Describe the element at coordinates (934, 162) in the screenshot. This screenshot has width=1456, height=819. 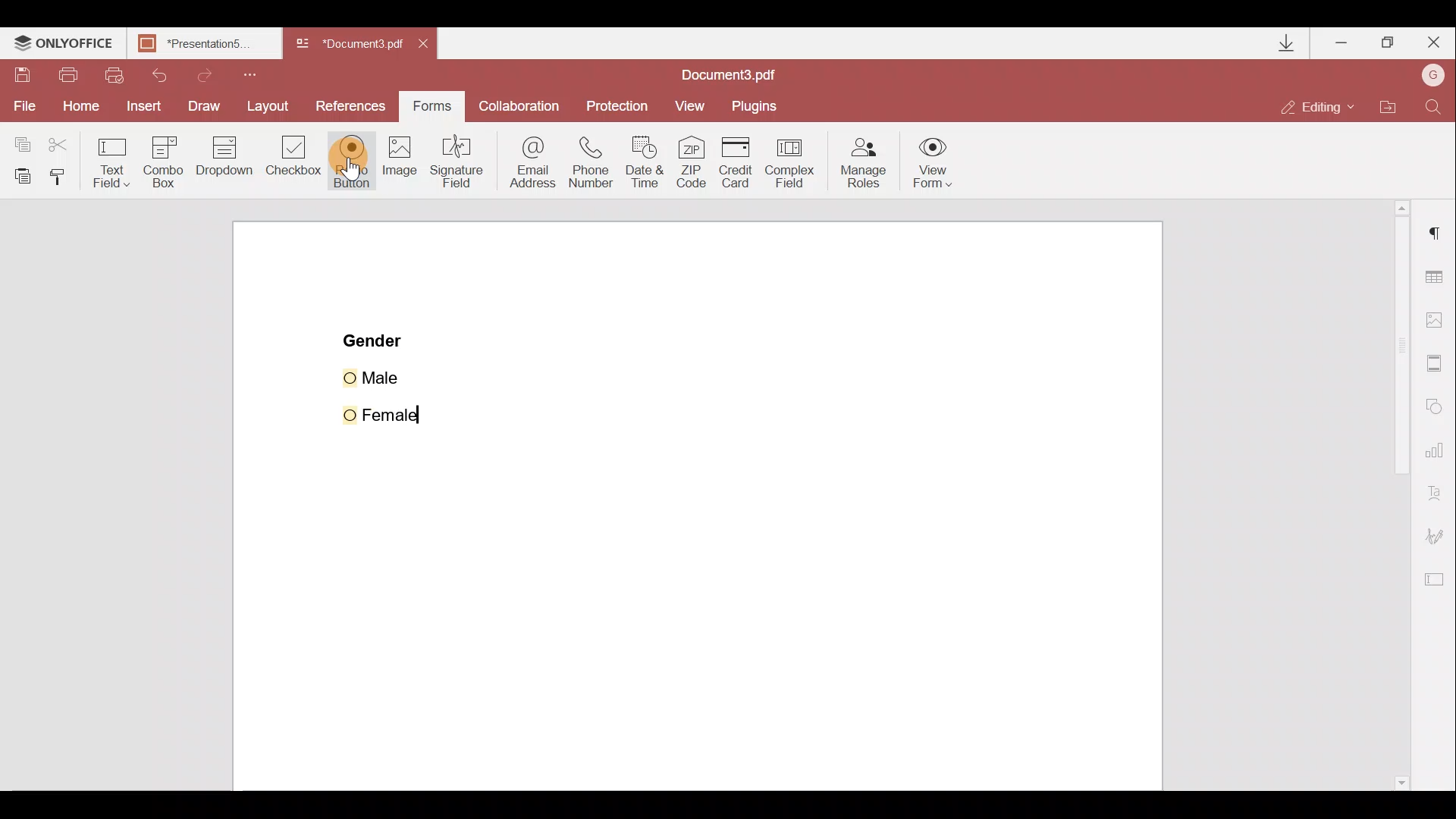
I see `View form` at that location.